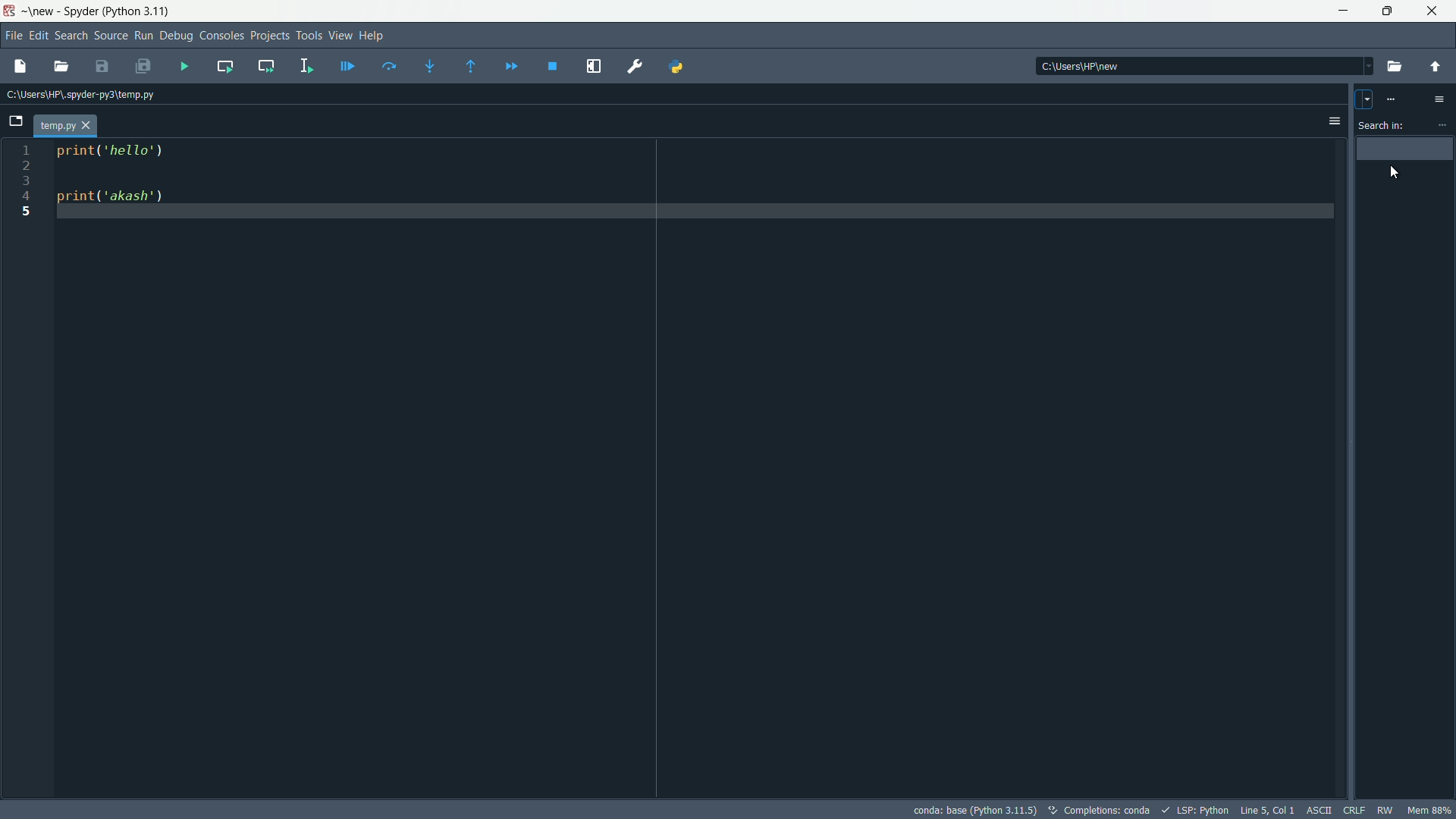  I want to click on minimize, so click(1344, 11).